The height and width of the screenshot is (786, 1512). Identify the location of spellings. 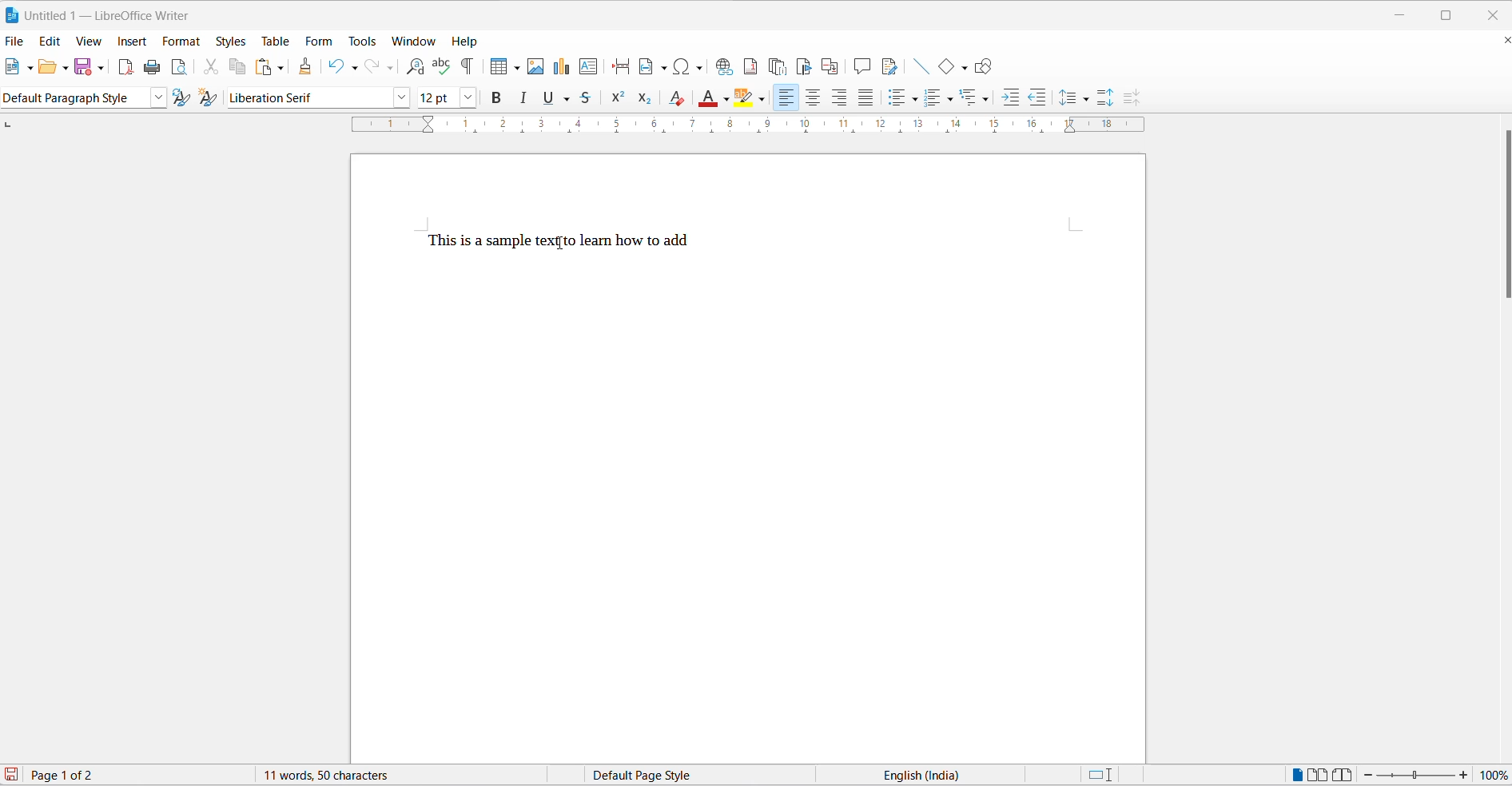
(441, 65).